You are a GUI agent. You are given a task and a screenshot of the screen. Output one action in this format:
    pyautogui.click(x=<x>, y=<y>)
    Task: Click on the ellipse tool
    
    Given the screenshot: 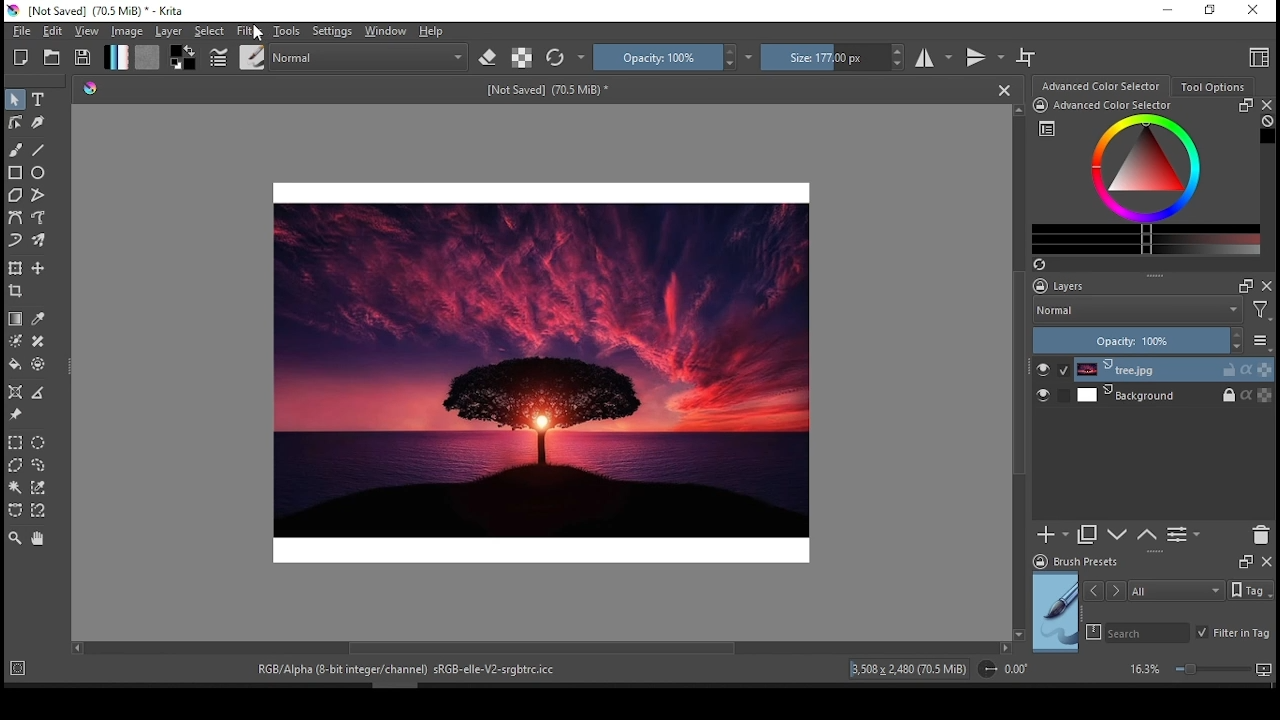 What is the action you would take?
    pyautogui.click(x=44, y=173)
    